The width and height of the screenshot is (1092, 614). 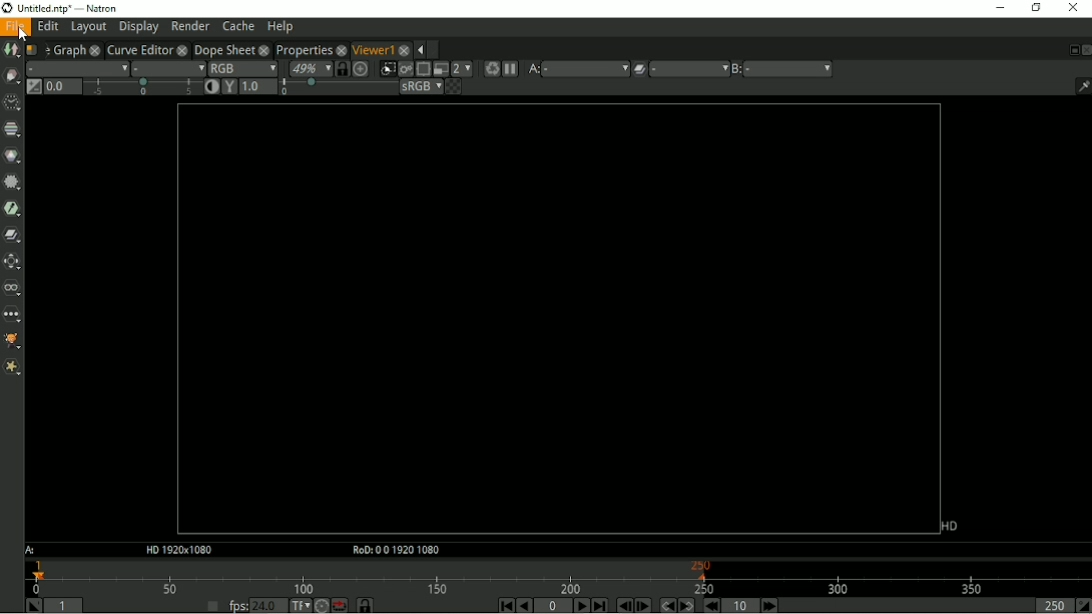 What do you see at coordinates (770, 605) in the screenshot?
I see `Next increment` at bounding box center [770, 605].